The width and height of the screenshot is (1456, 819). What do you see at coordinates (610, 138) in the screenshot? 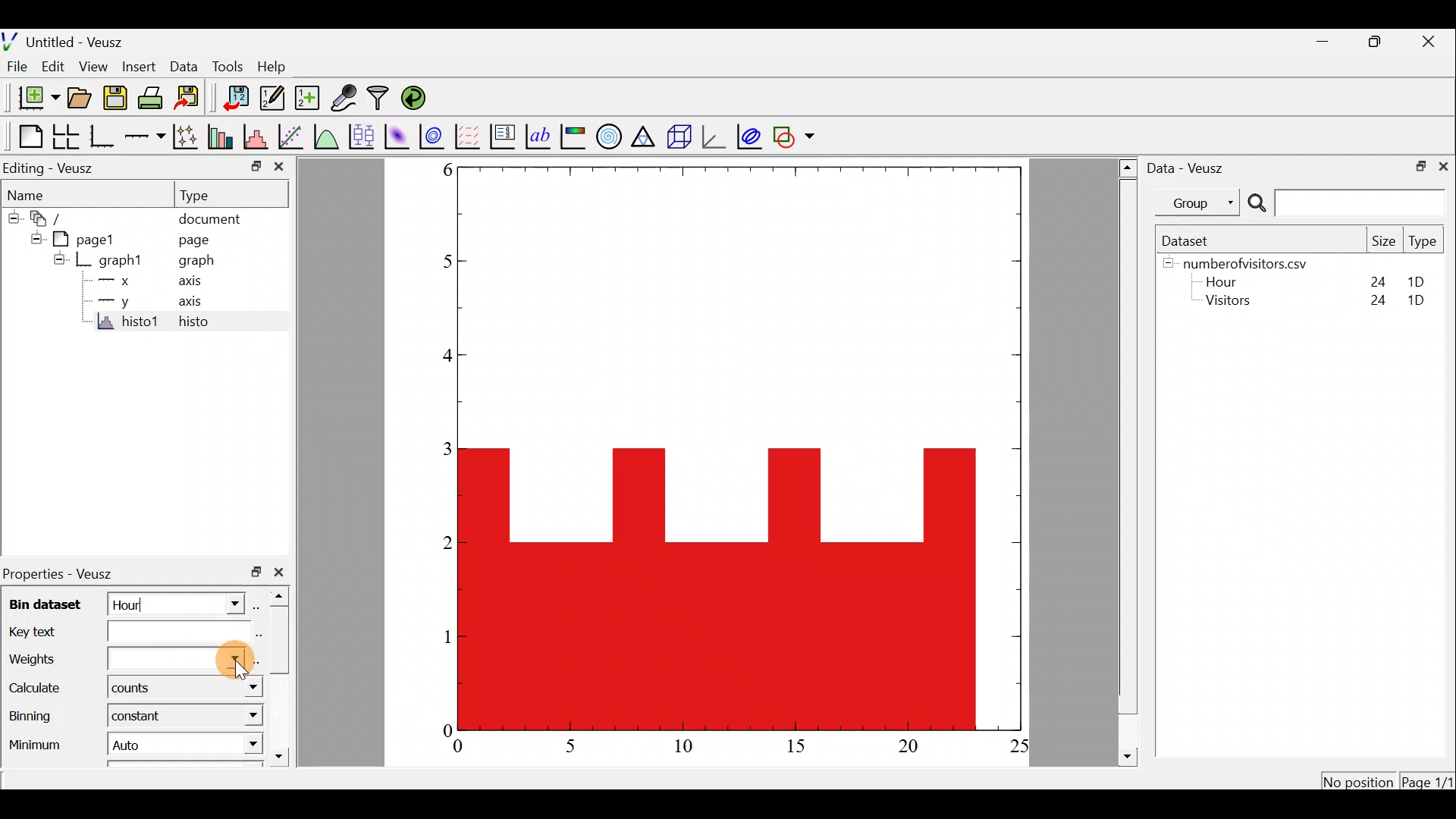
I see `polar graph` at bounding box center [610, 138].